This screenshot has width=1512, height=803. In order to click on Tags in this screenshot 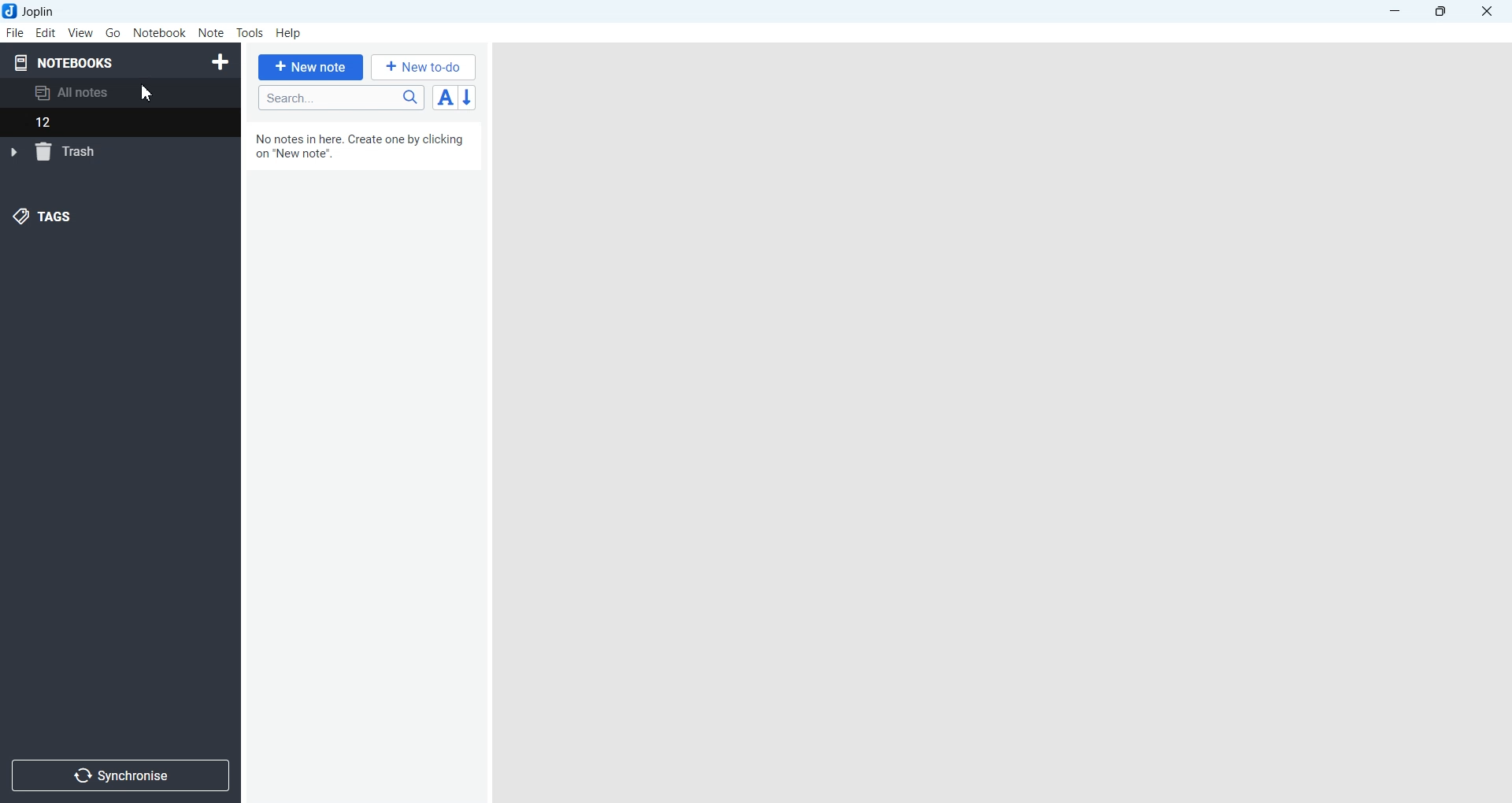, I will do `click(41, 216)`.